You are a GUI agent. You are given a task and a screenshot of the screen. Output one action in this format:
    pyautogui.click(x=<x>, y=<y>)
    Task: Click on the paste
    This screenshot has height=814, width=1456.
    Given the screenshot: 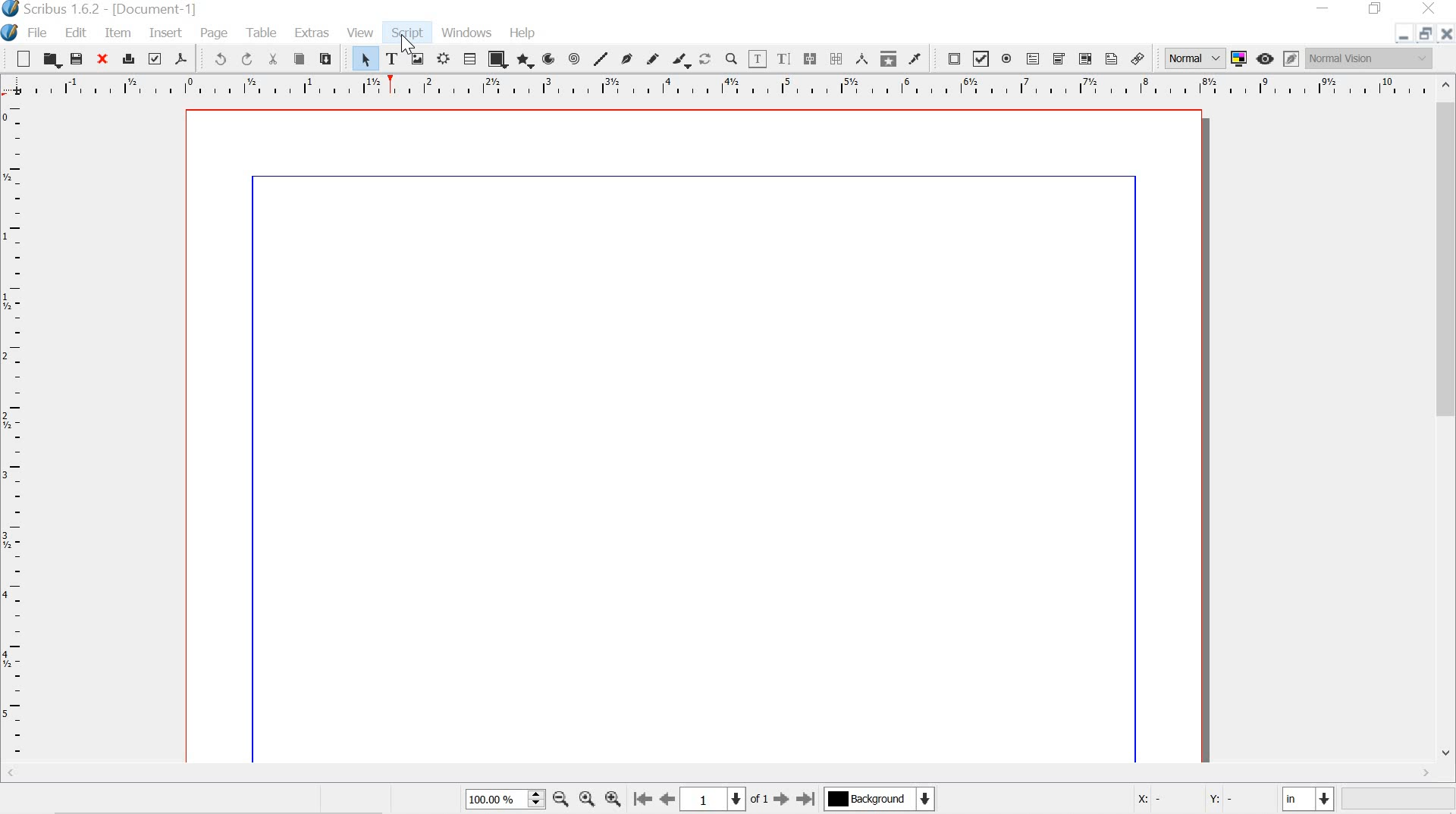 What is the action you would take?
    pyautogui.click(x=325, y=58)
    